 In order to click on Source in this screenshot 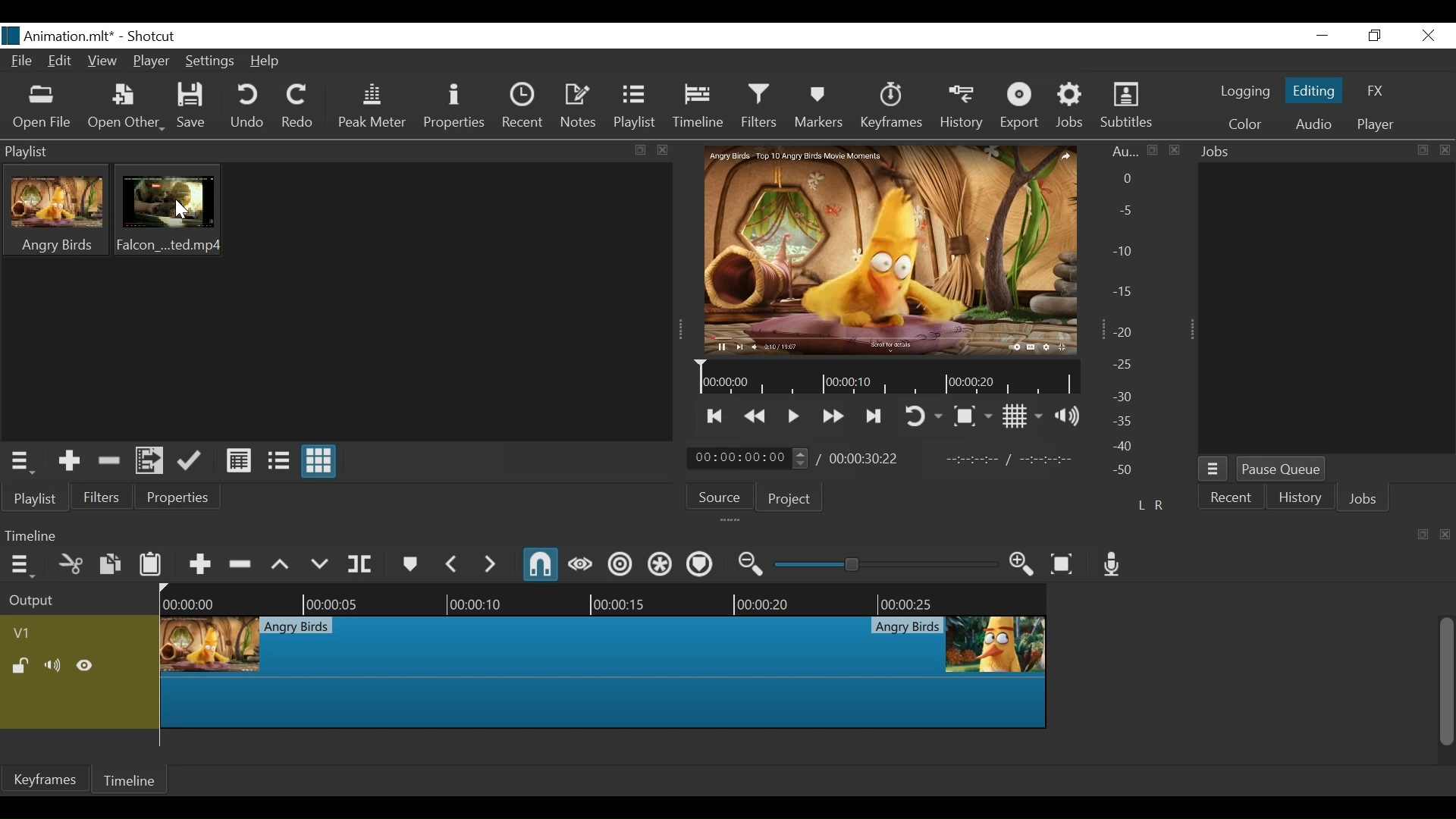, I will do `click(720, 497)`.